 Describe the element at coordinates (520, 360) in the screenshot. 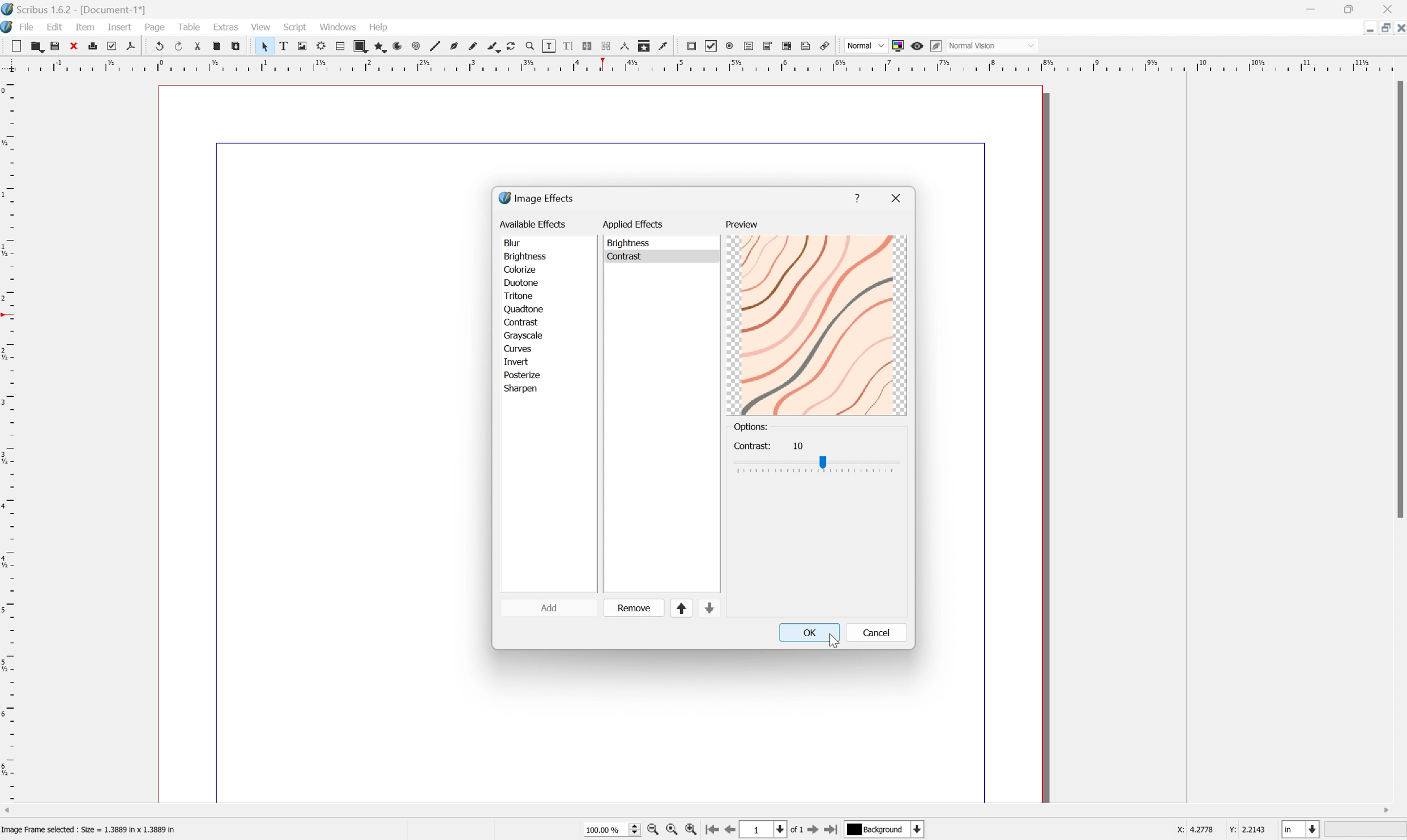

I see `invert` at that location.